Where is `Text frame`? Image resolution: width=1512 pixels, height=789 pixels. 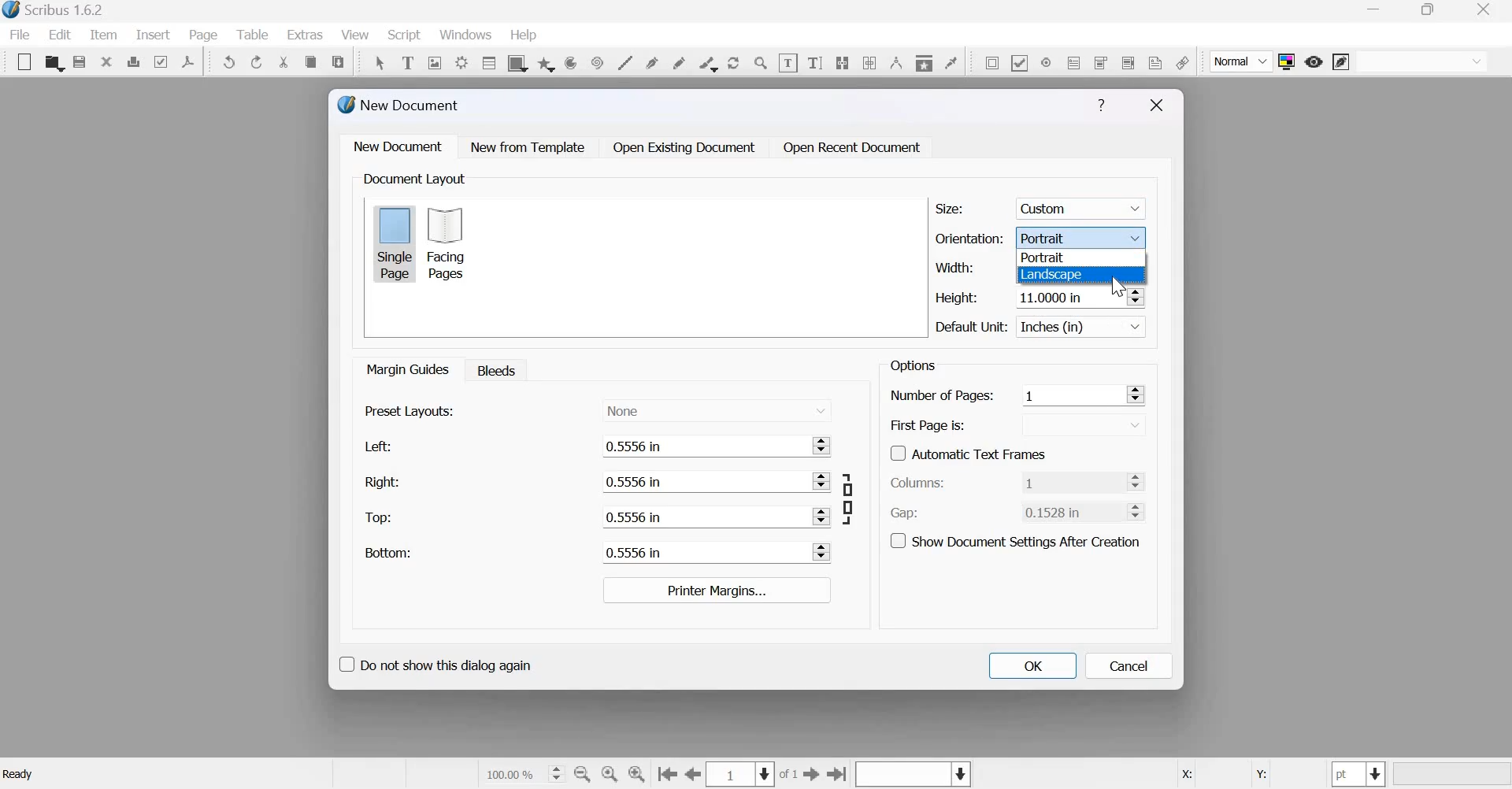
Text frame is located at coordinates (407, 61).